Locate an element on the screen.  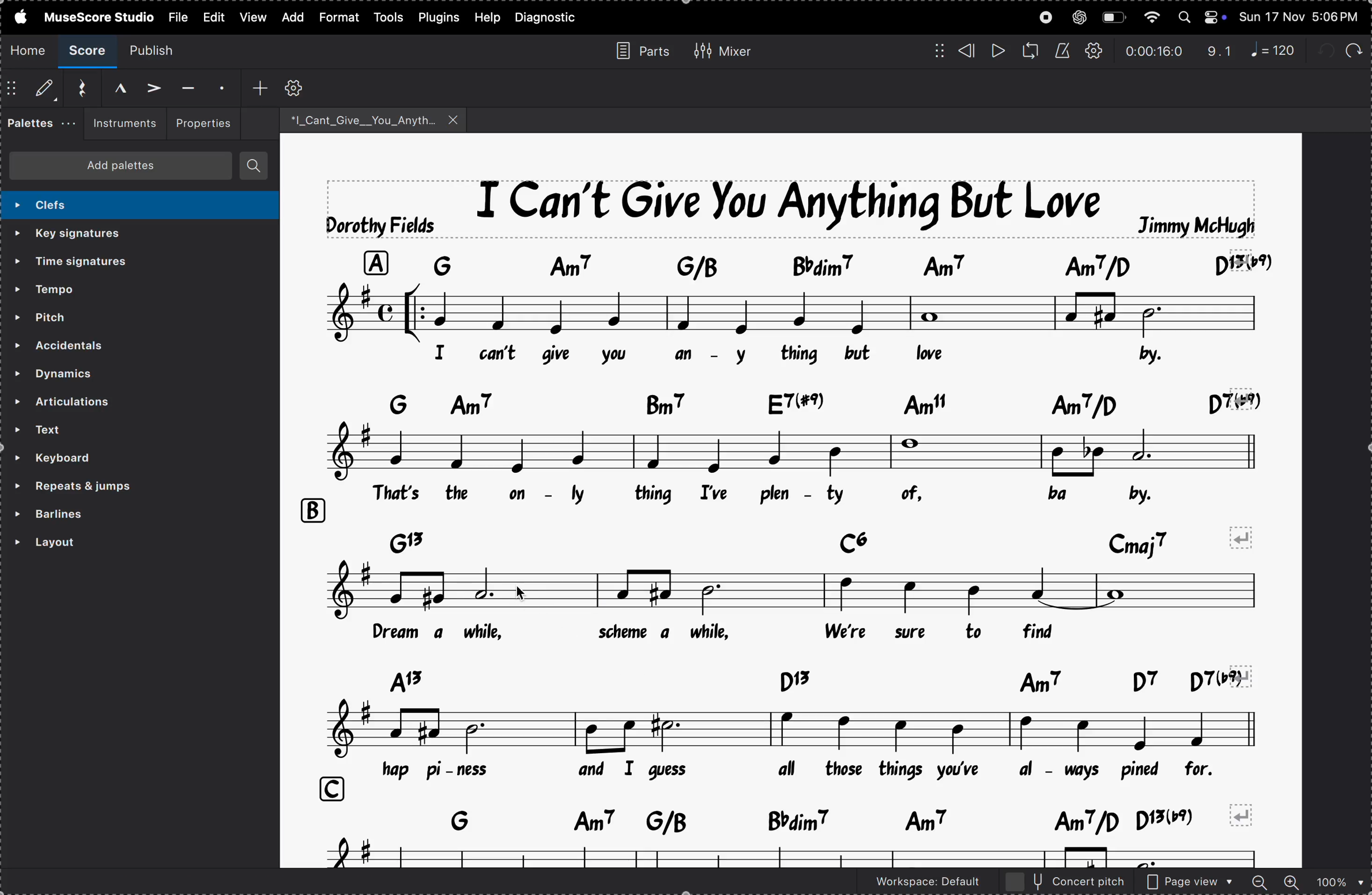
apple menu is located at coordinates (17, 16).